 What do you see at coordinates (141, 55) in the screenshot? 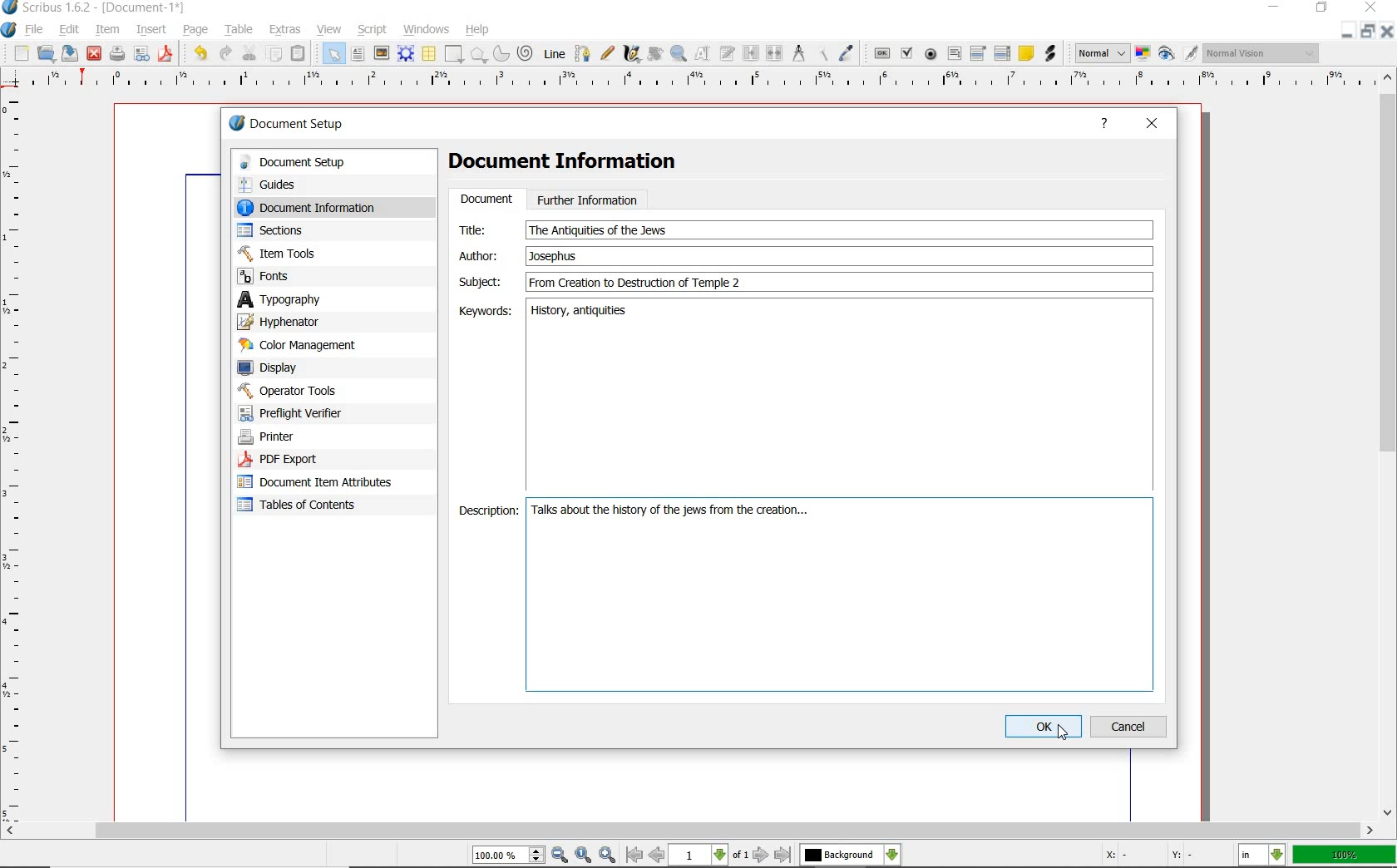
I see `preflight verifier` at bounding box center [141, 55].